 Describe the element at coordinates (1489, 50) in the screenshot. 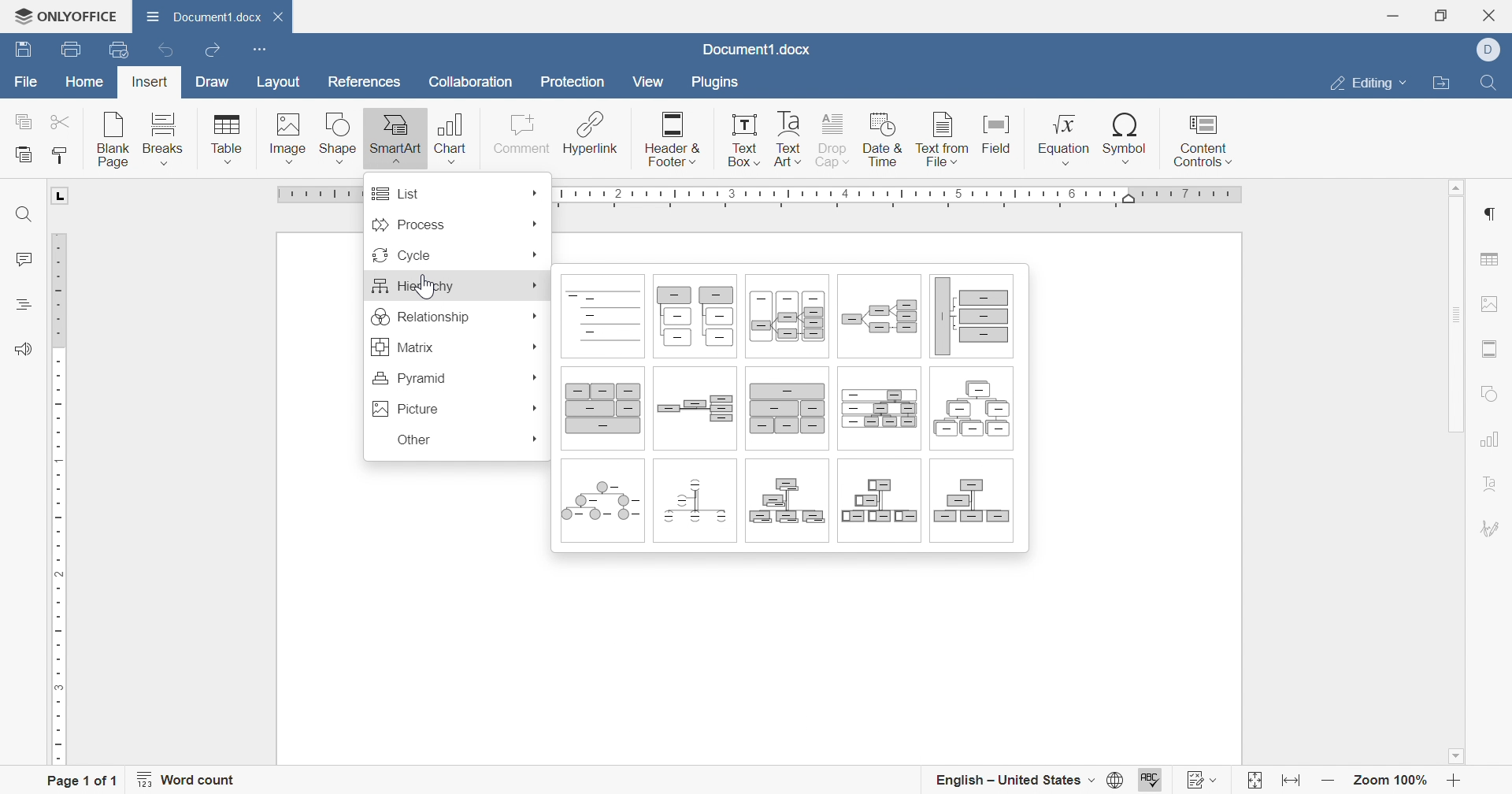

I see `DELL` at that location.